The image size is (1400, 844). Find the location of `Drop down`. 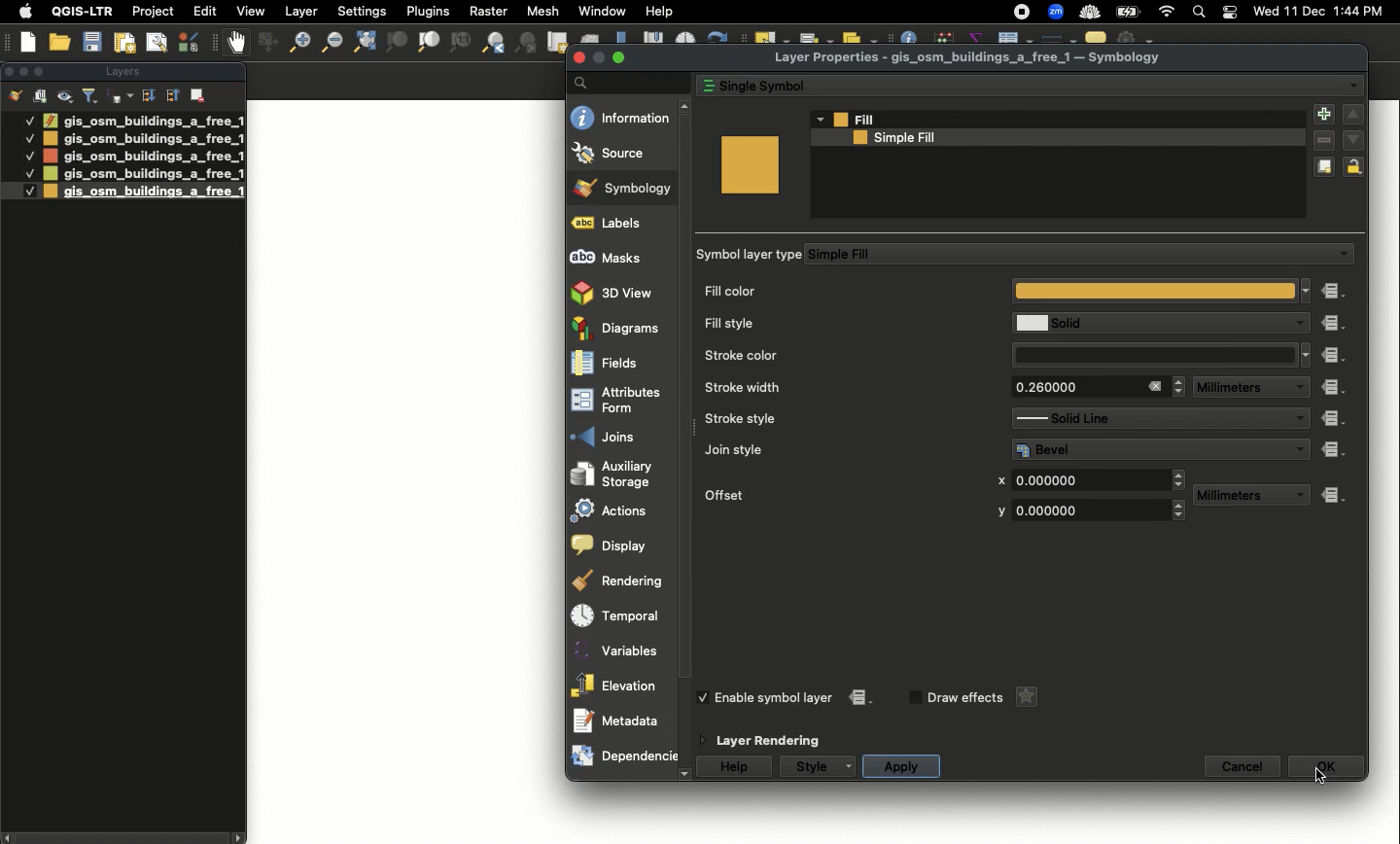

Drop down is located at coordinates (1307, 290).